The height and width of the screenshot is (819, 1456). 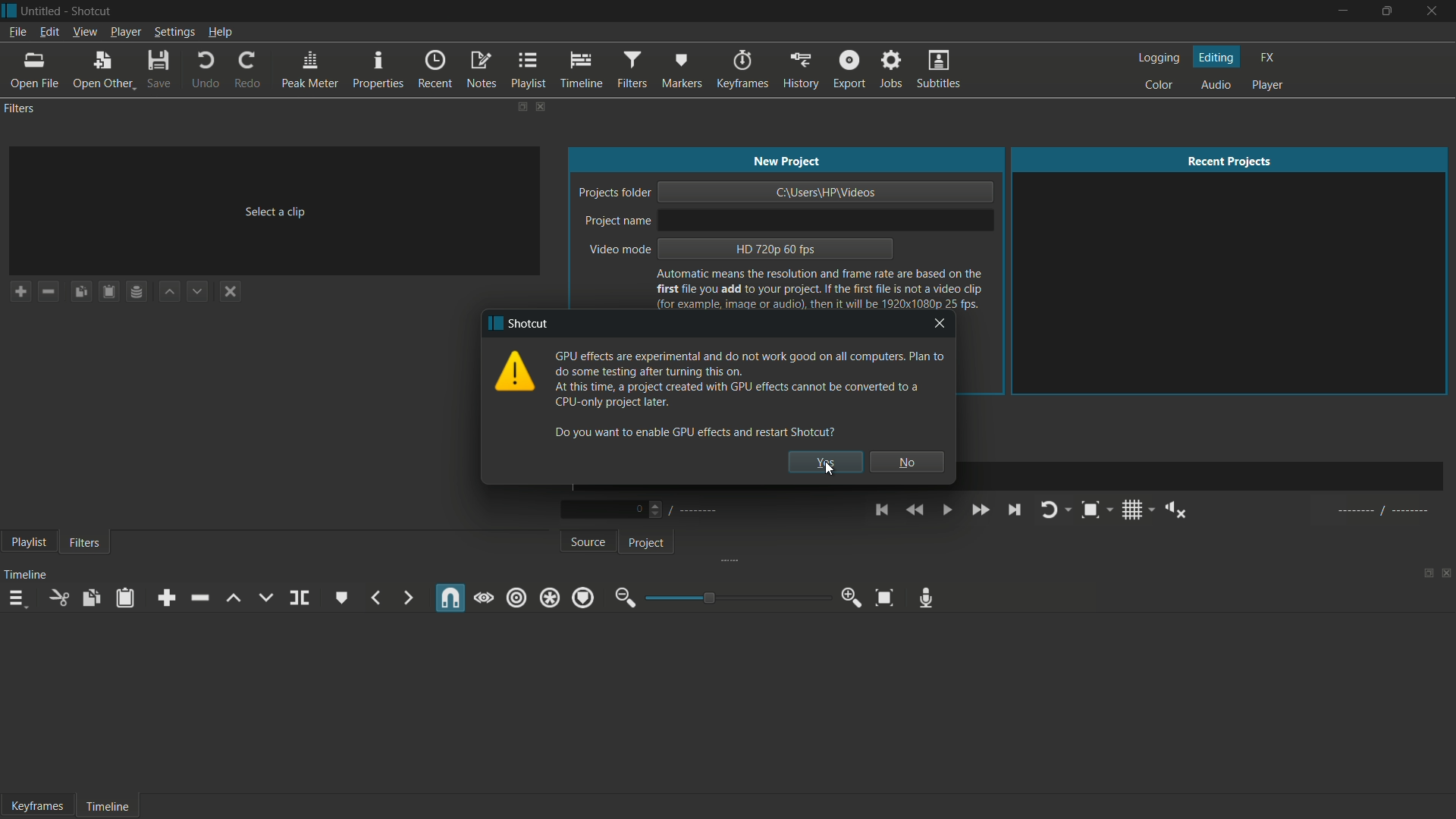 I want to click on filters, so click(x=84, y=544).